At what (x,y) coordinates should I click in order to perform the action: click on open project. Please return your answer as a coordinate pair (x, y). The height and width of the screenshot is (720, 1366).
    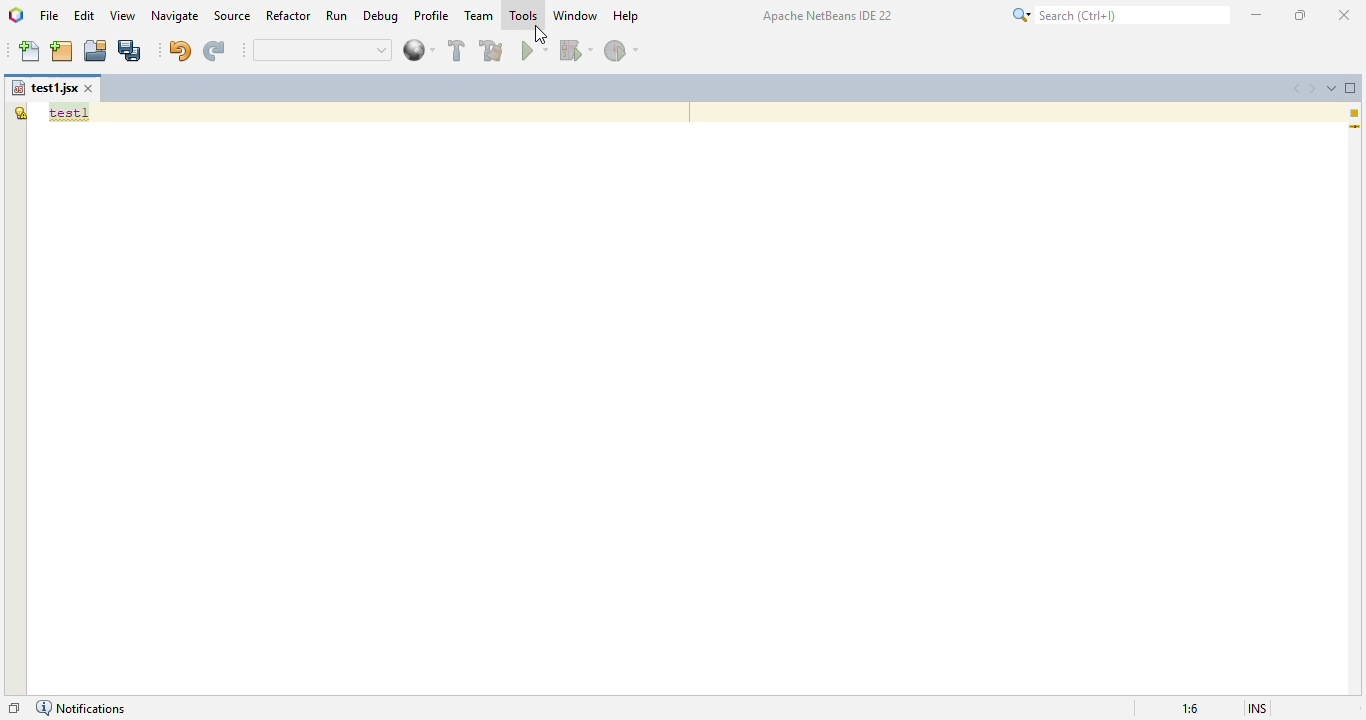
    Looking at the image, I should click on (96, 51).